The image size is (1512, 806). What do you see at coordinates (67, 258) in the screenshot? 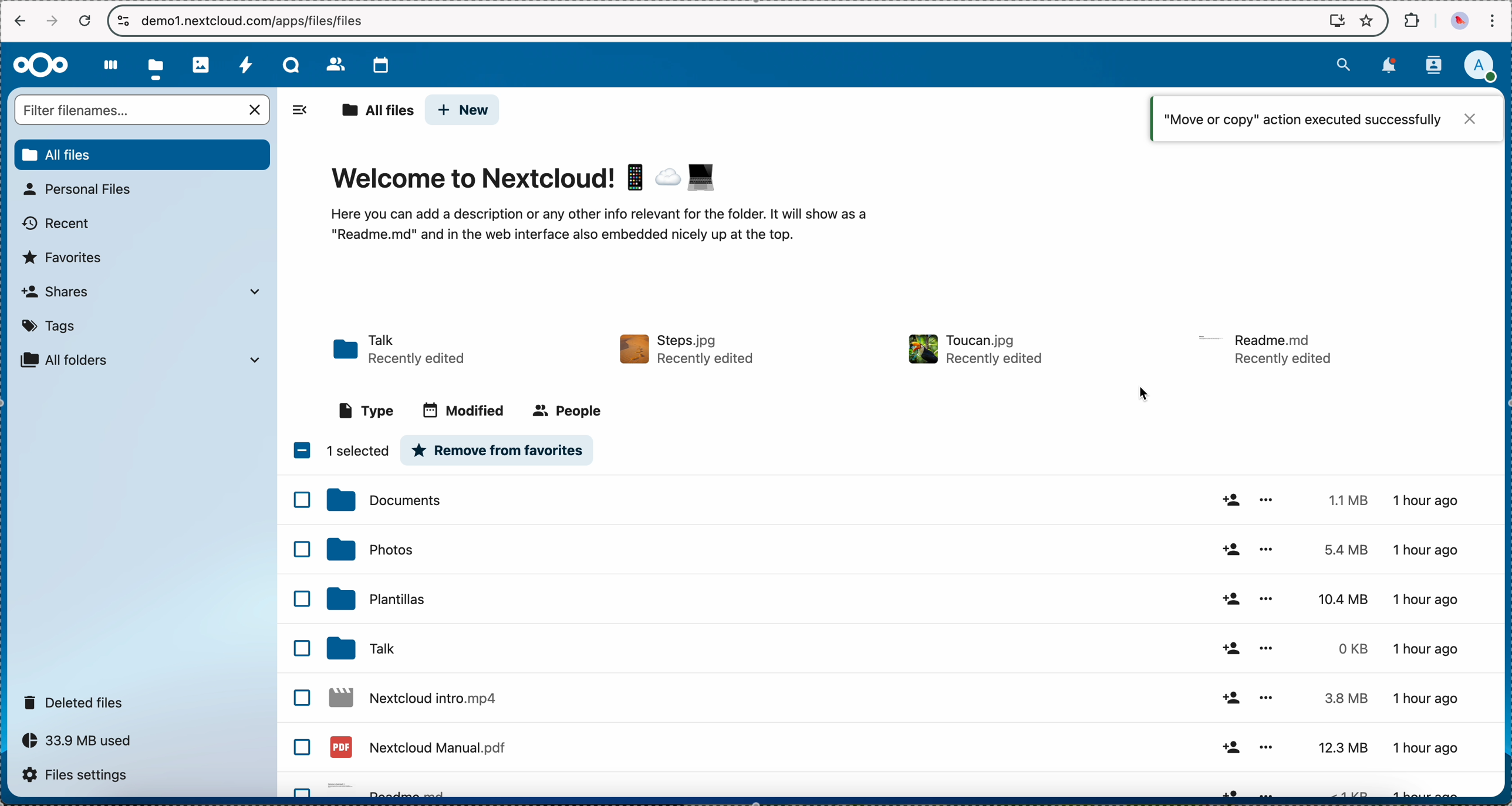
I see `favorites` at bounding box center [67, 258].